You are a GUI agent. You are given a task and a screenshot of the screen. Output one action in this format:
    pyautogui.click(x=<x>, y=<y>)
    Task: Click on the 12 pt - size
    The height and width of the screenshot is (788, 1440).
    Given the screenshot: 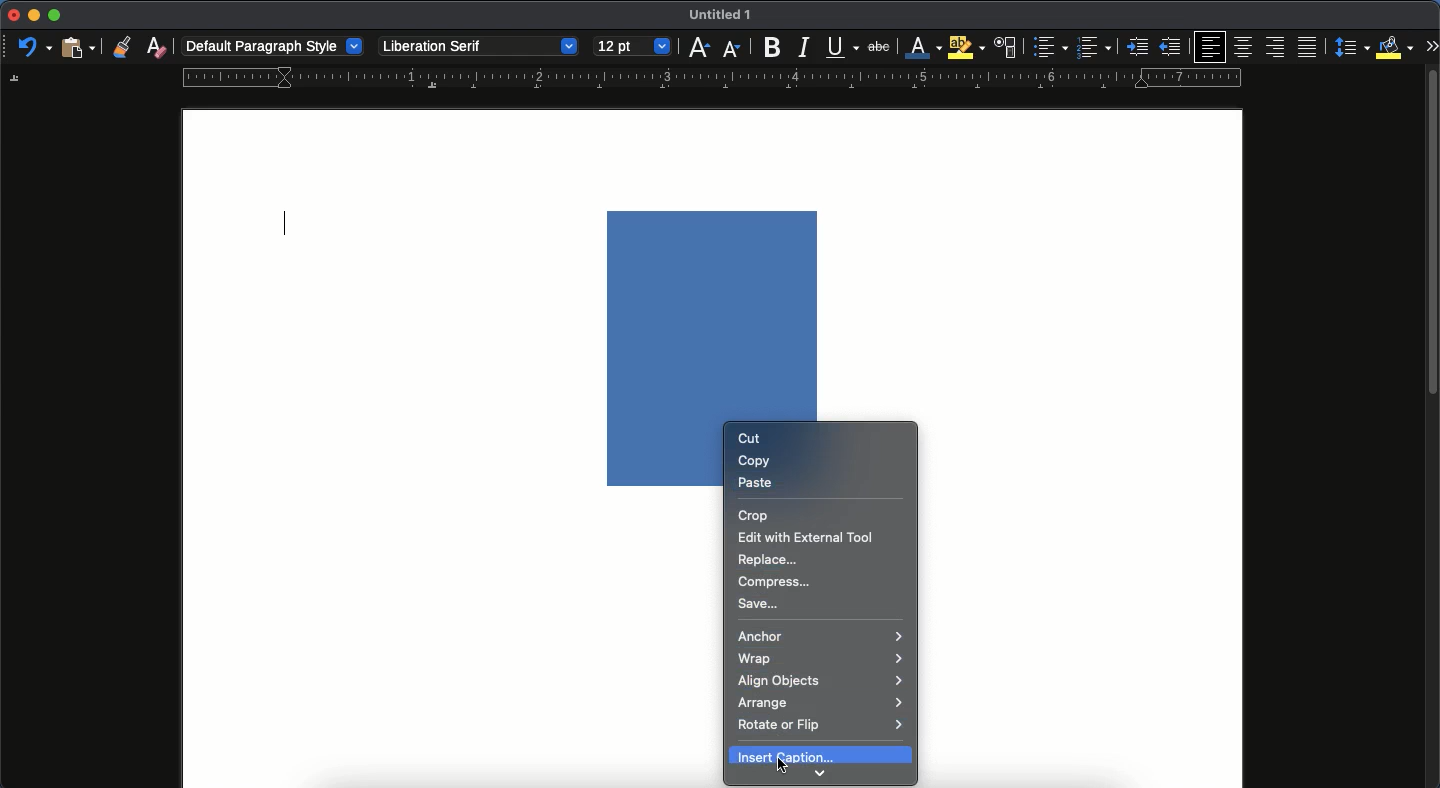 What is the action you would take?
    pyautogui.click(x=629, y=46)
    